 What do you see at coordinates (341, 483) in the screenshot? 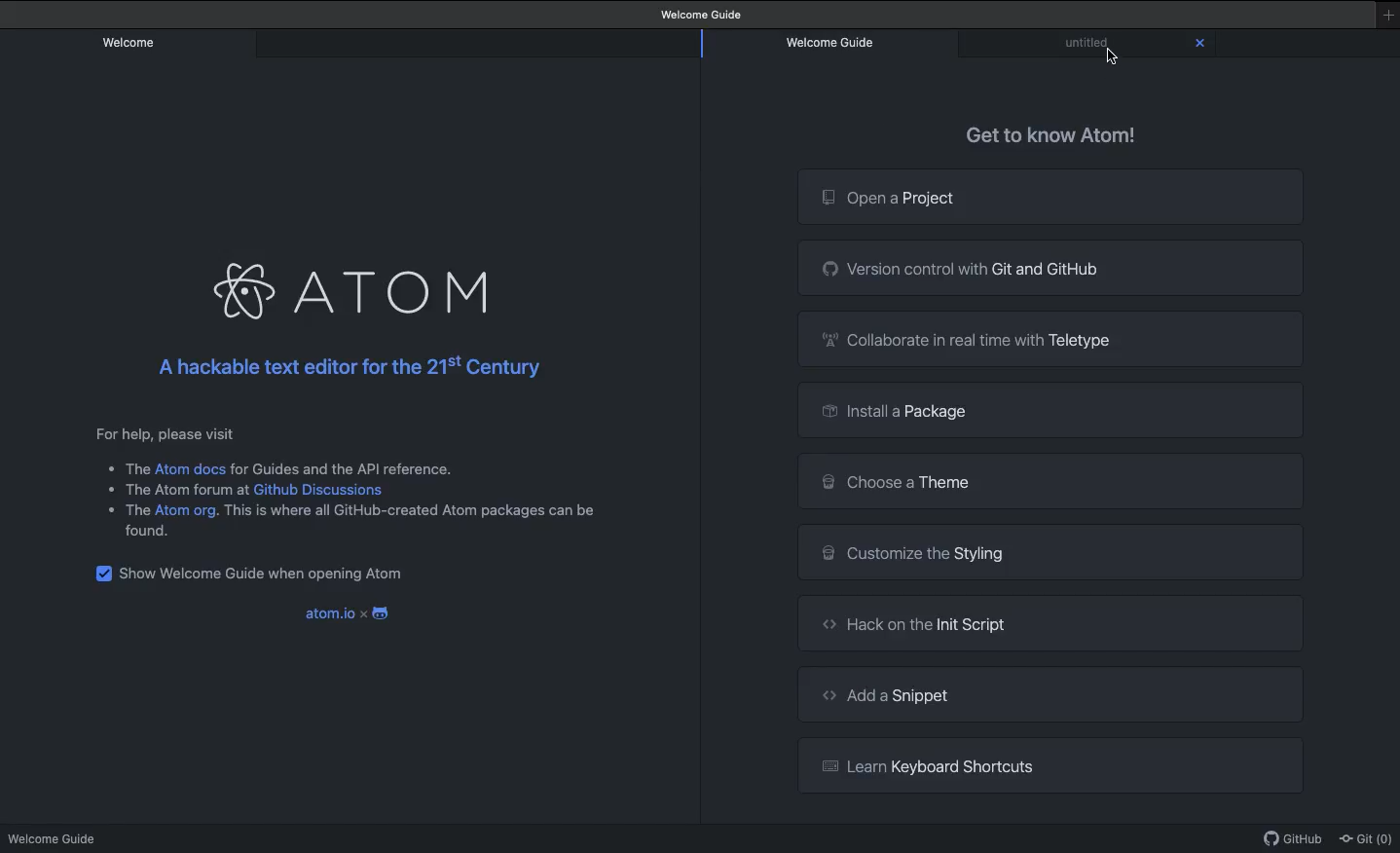
I see `Instructional text` at bounding box center [341, 483].